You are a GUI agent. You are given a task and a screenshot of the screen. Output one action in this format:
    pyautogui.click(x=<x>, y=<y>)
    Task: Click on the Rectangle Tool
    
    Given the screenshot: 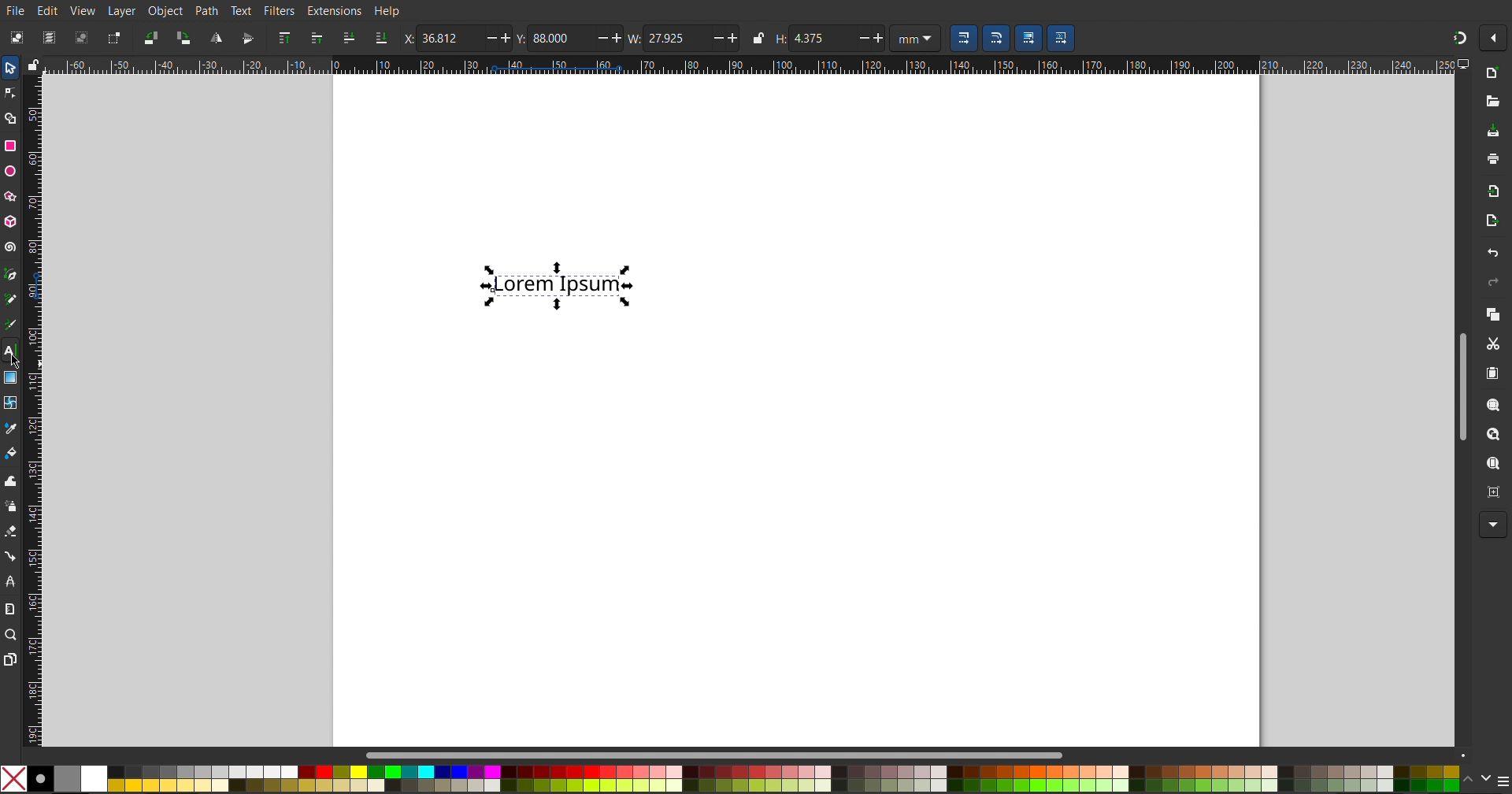 What is the action you would take?
    pyautogui.click(x=11, y=147)
    